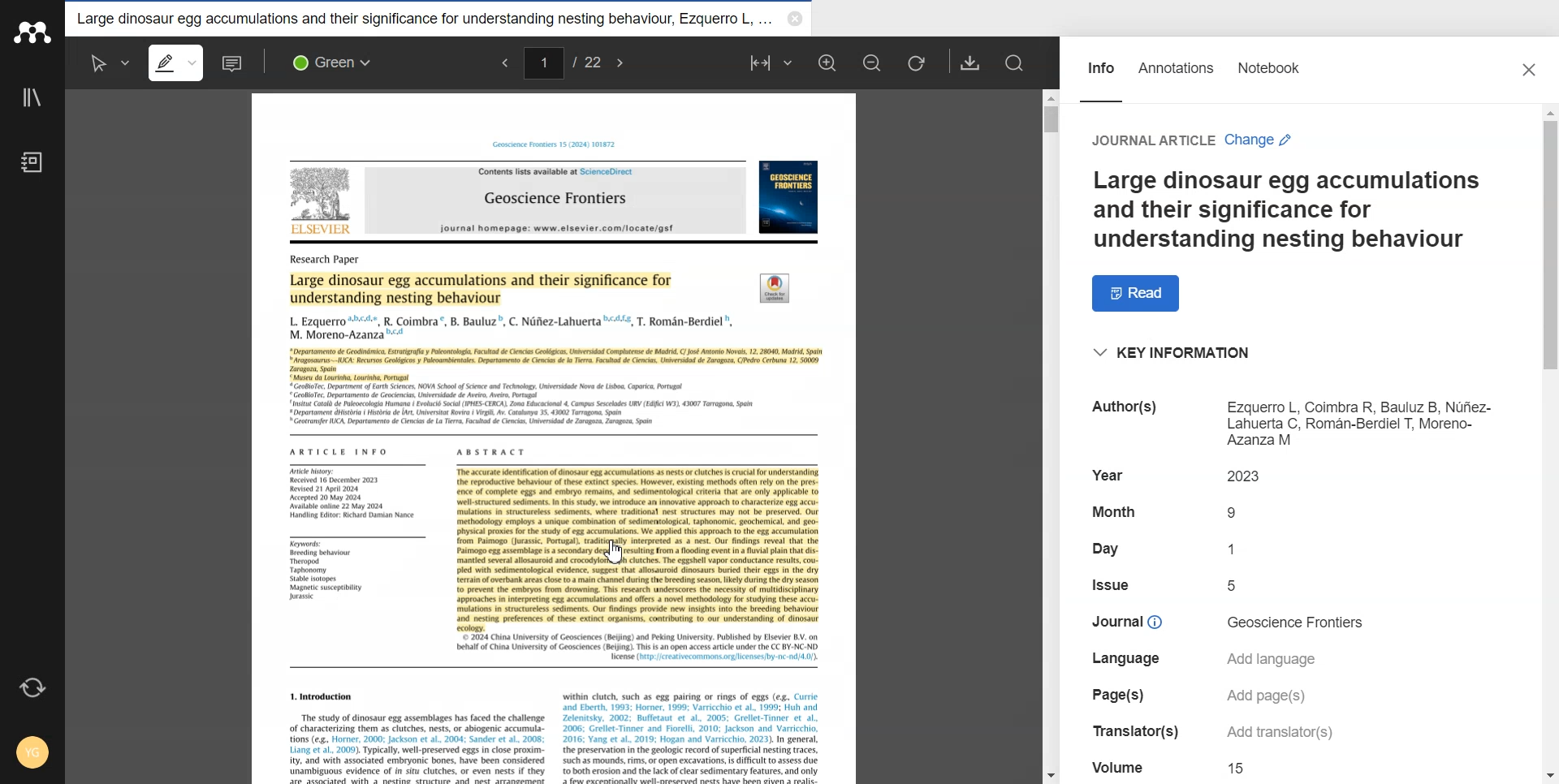 The image size is (1559, 784). I want to click on Account, so click(30, 754).